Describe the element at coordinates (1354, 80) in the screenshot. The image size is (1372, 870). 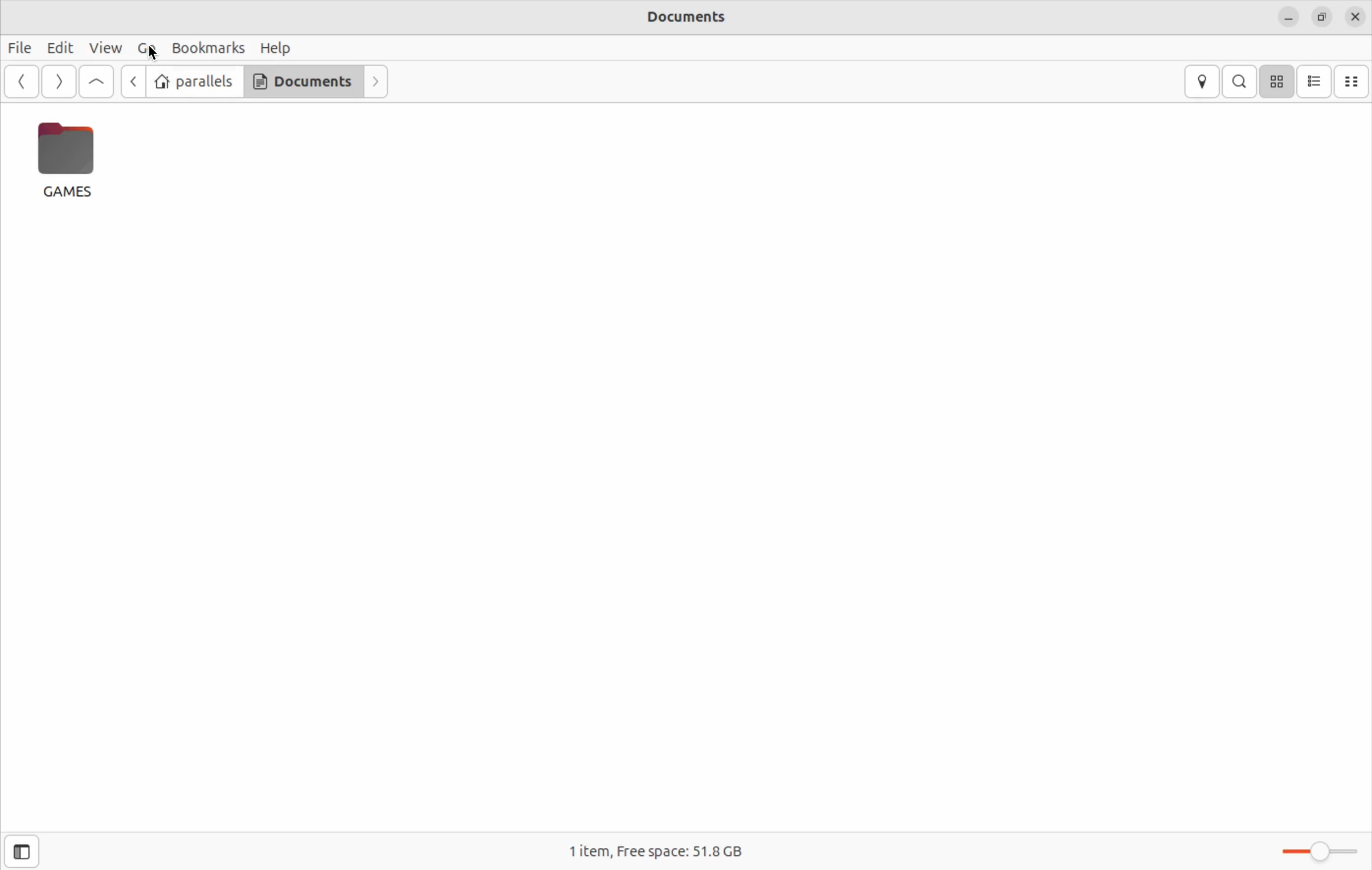
I see `compact view` at that location.